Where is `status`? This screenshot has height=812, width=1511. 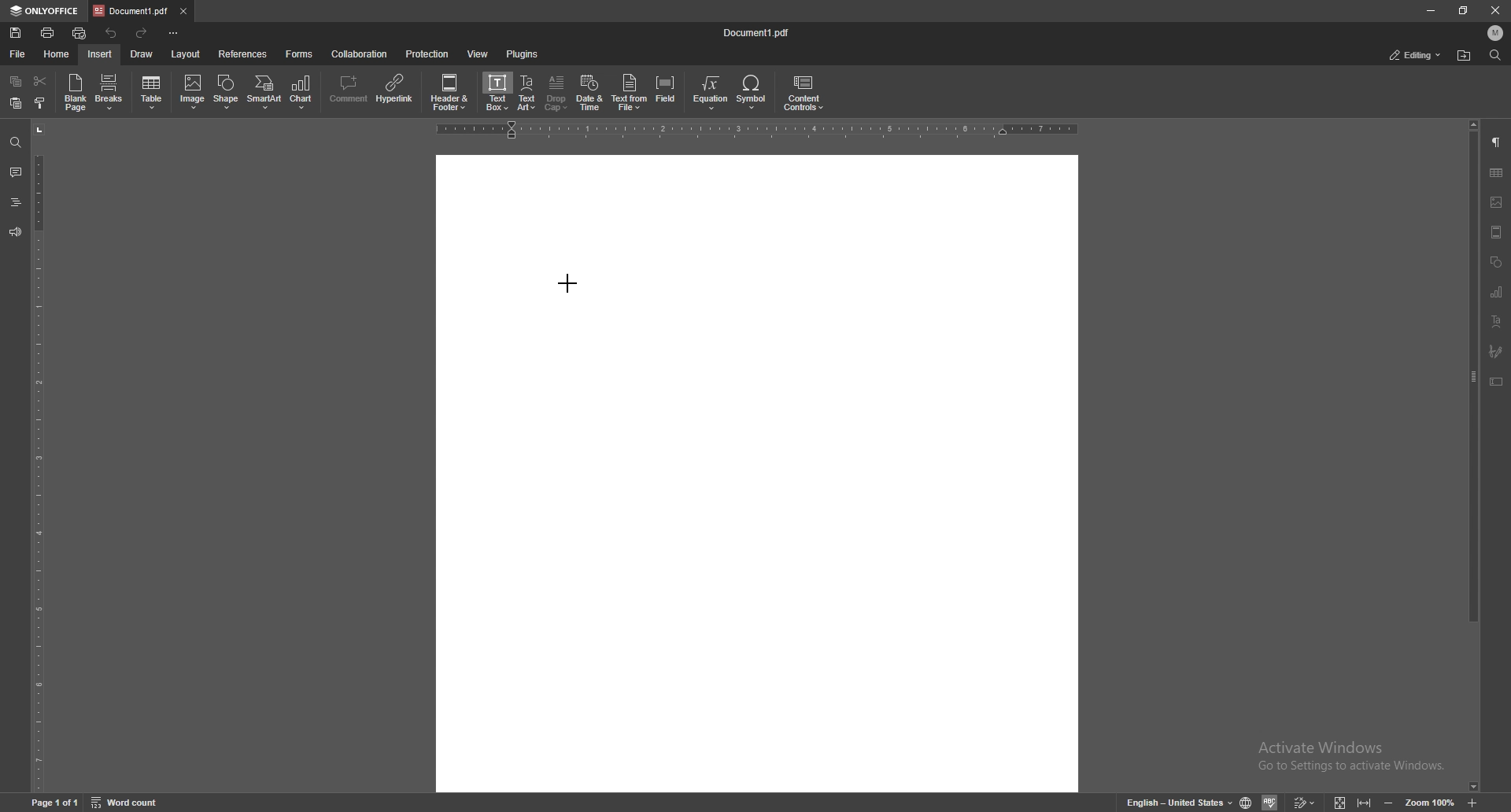
status is located at coordinates (1416, 55).